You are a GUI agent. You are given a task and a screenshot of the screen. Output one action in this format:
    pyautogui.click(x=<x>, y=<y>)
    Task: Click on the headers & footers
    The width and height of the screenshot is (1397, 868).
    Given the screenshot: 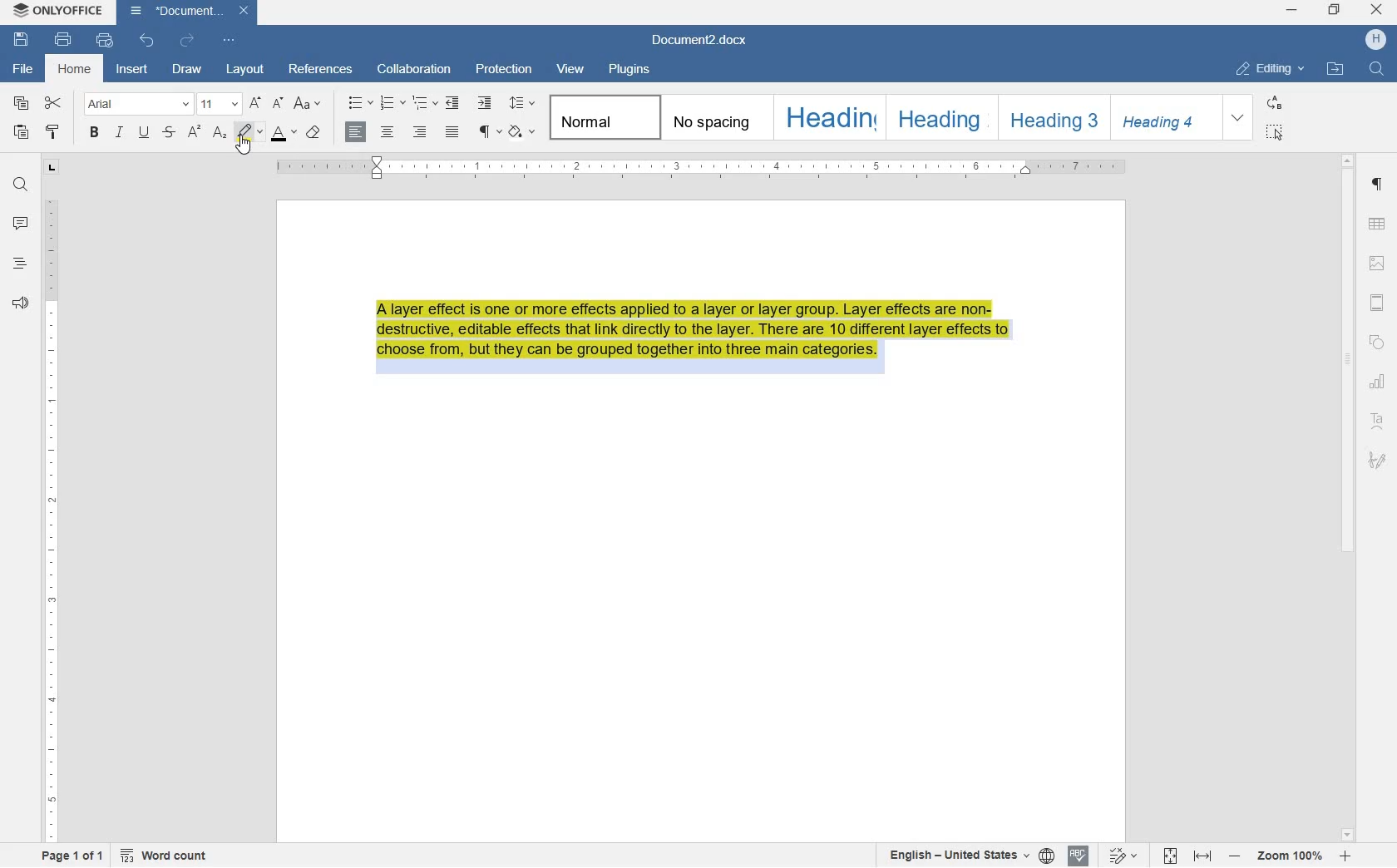 What is the action you would take?
    pyautogui.click(x=1376, y=303)
    